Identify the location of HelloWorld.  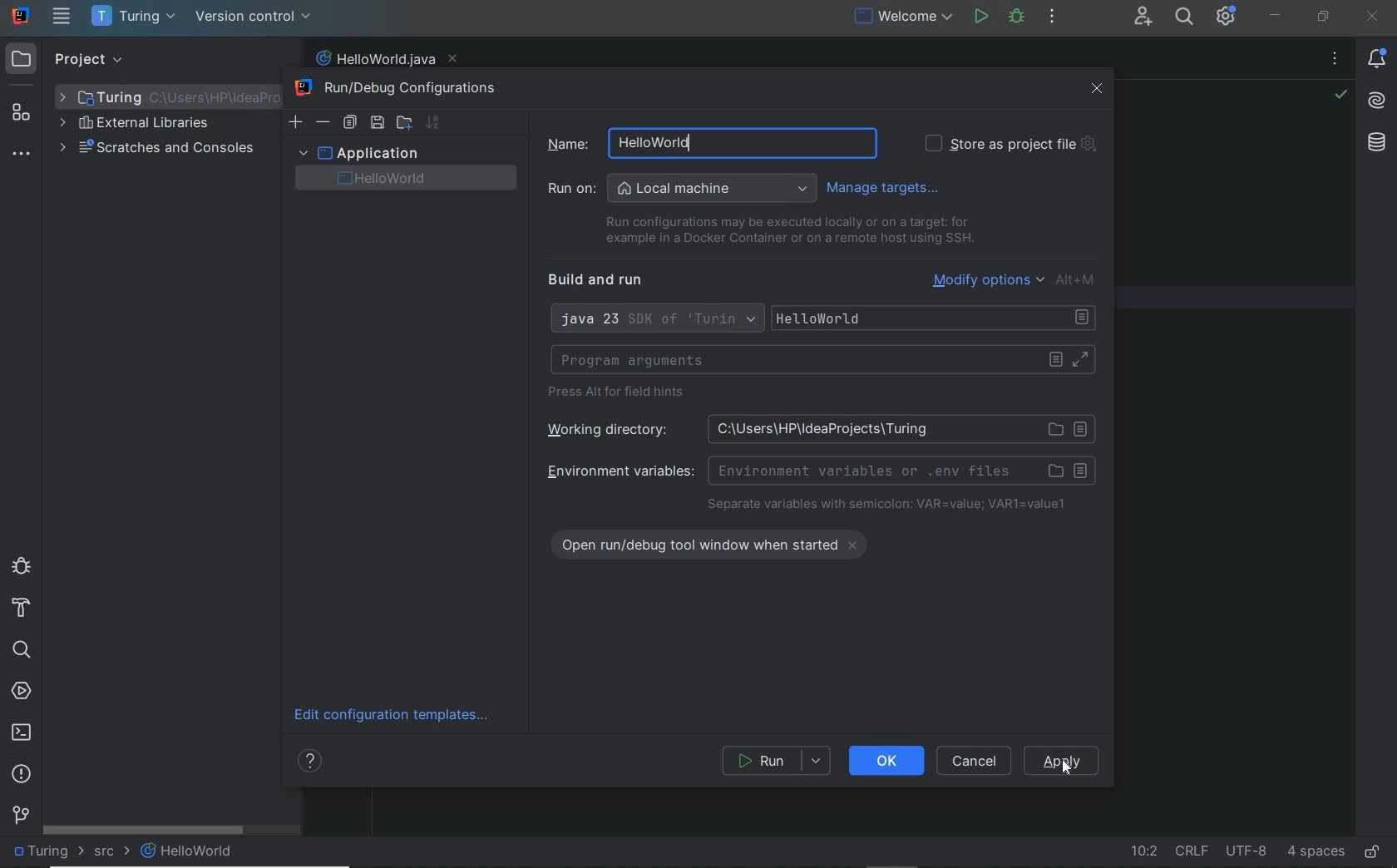
(937, 318).